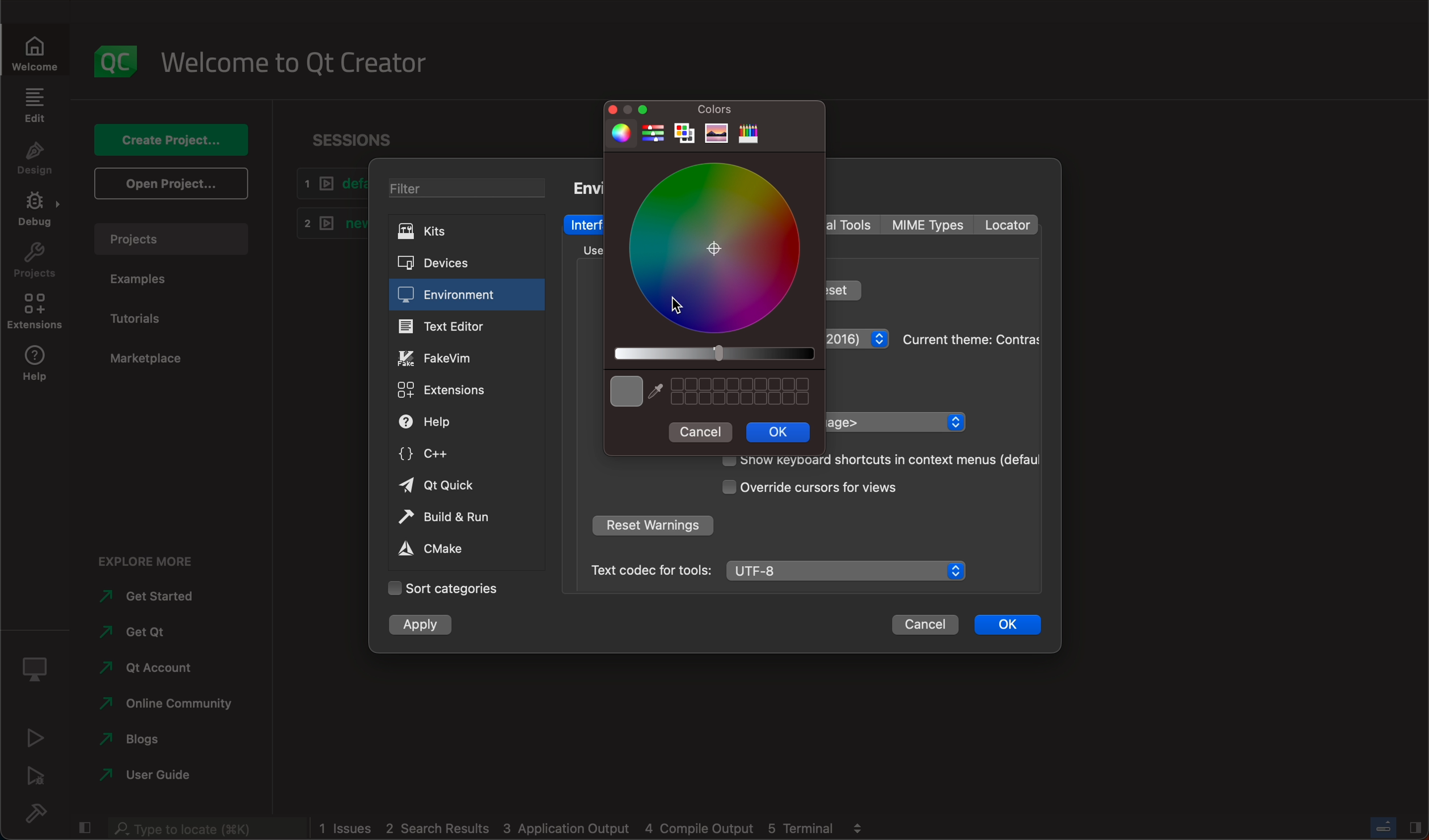 This screenshot has width=1429, height=840. I want to click on project, so click(36, 264).